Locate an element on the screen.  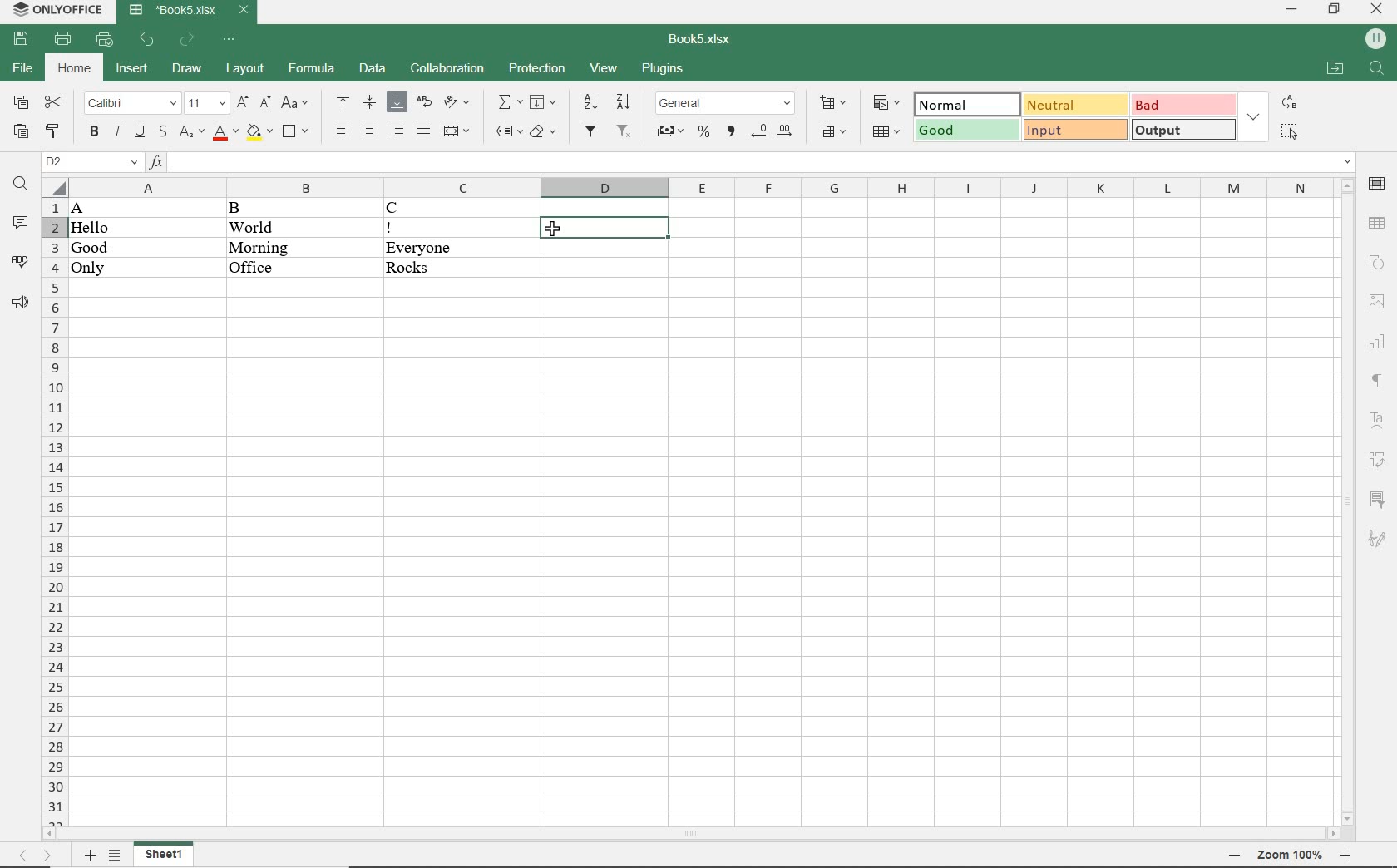
Morning is located at coordinates (281, 247).